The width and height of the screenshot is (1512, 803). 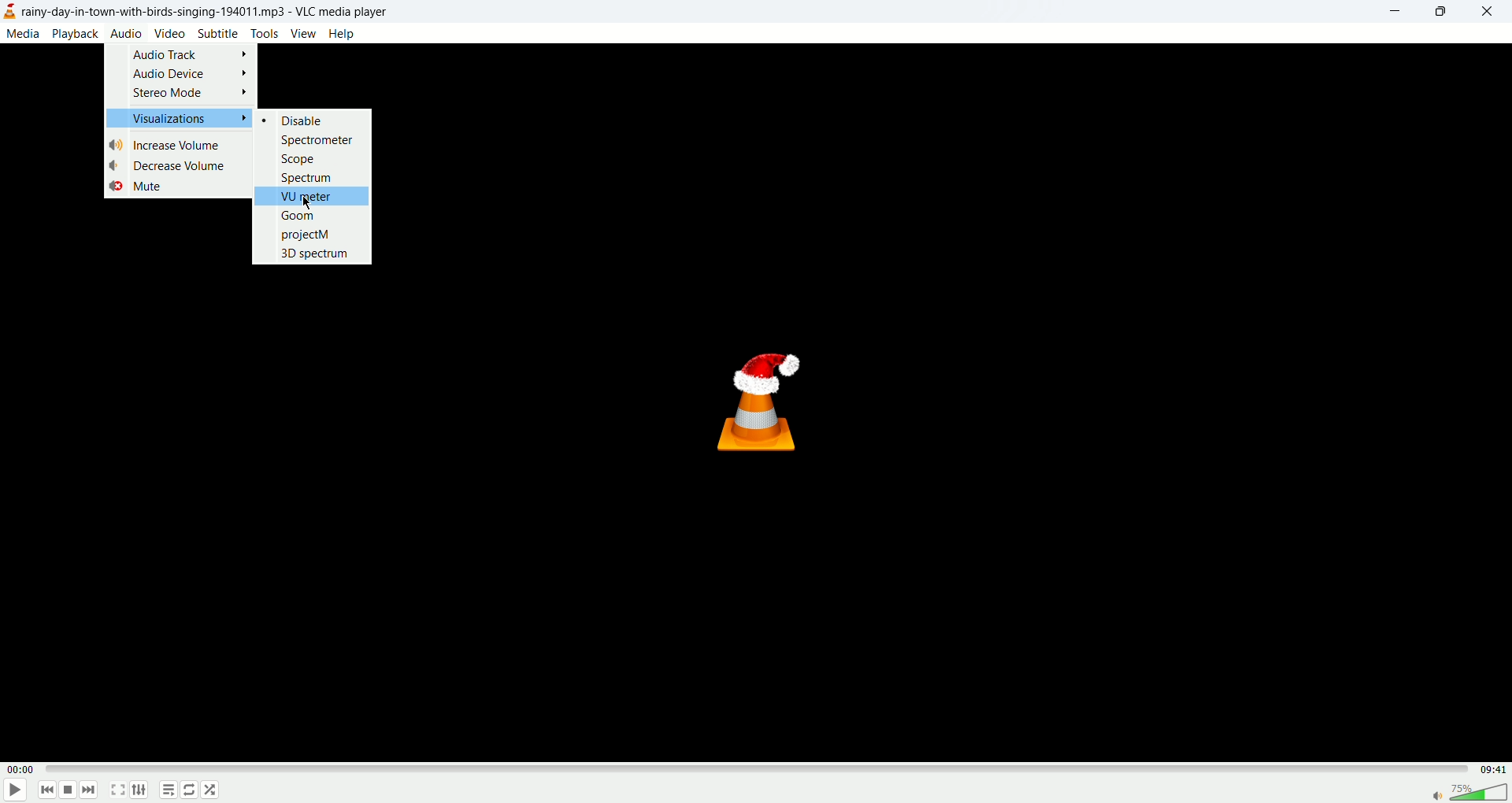 I want to click on close, so click(x=1489, y=11).